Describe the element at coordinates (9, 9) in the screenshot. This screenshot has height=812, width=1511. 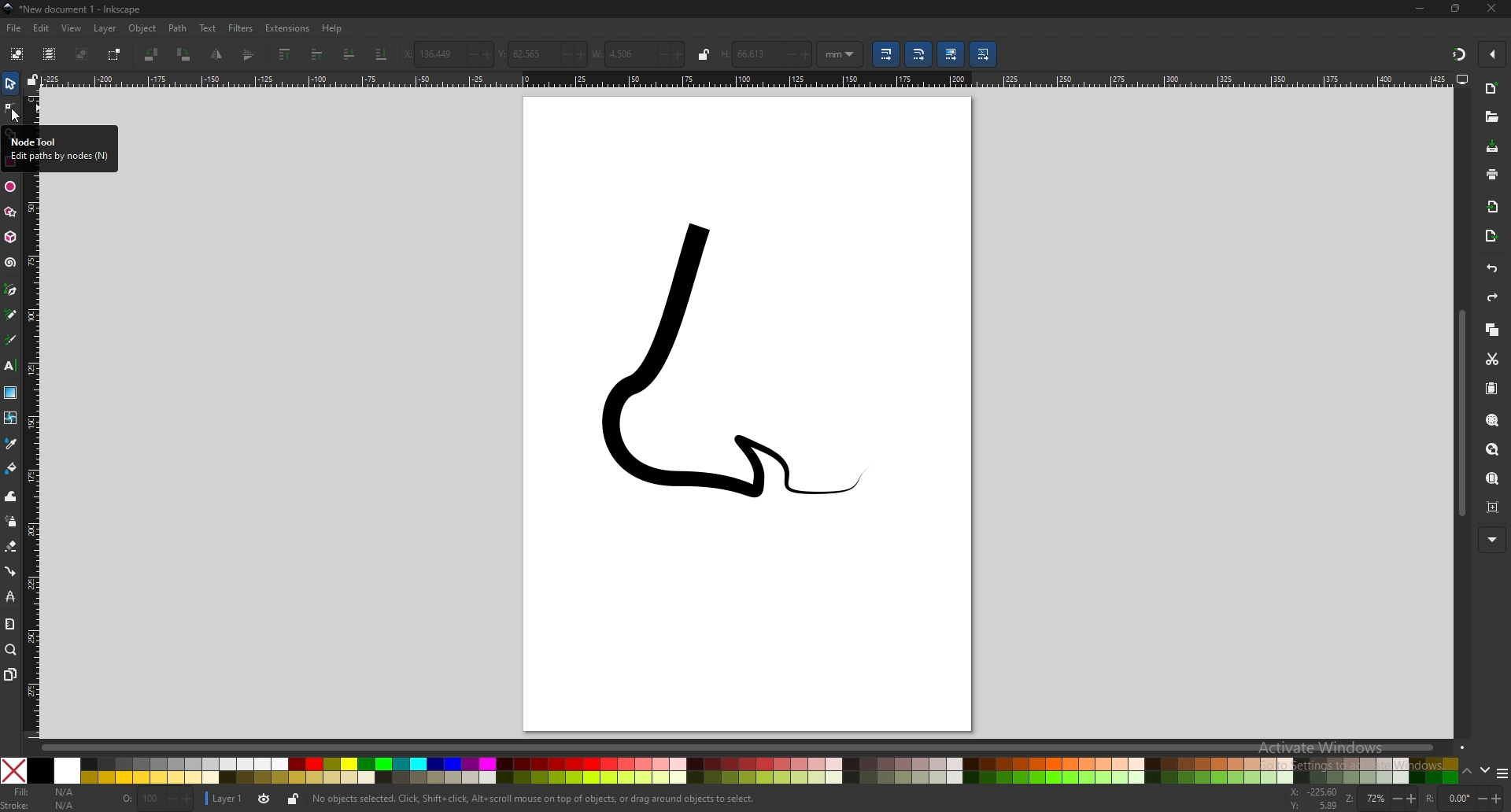
I see `logo` at that location.